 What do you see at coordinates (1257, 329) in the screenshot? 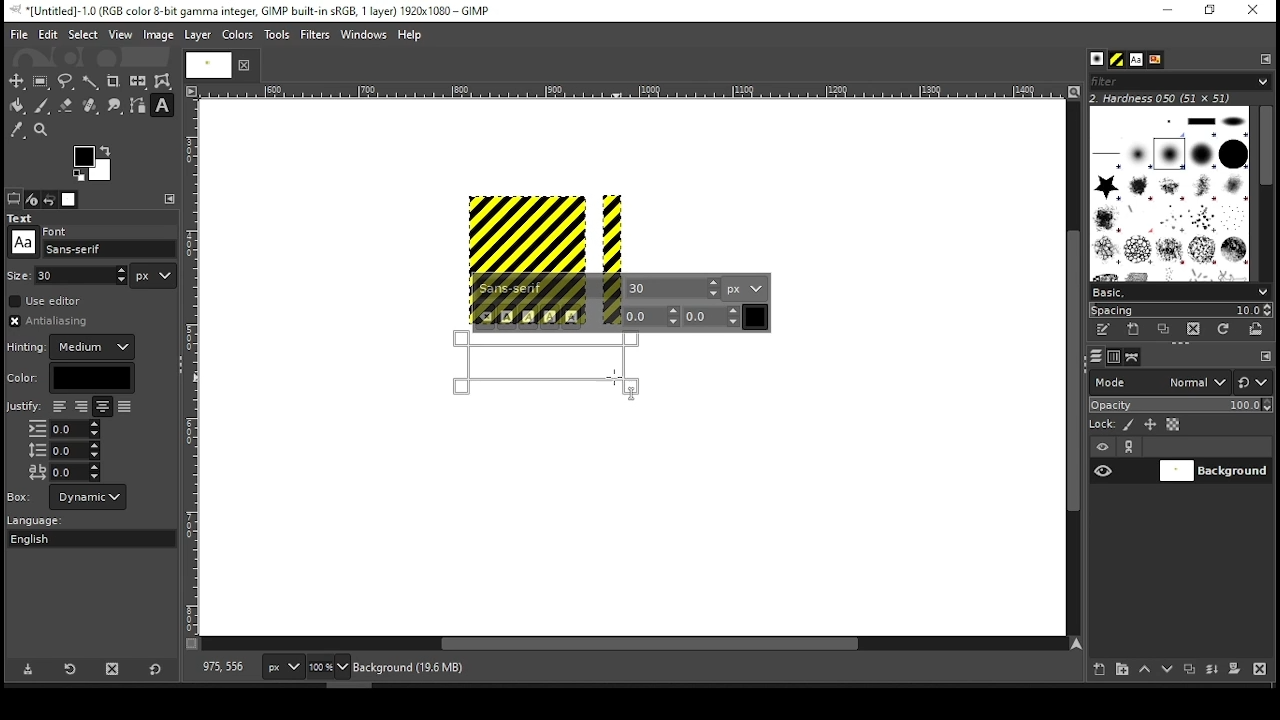
I see `open brush as image` at bounding box center [1257, 329].